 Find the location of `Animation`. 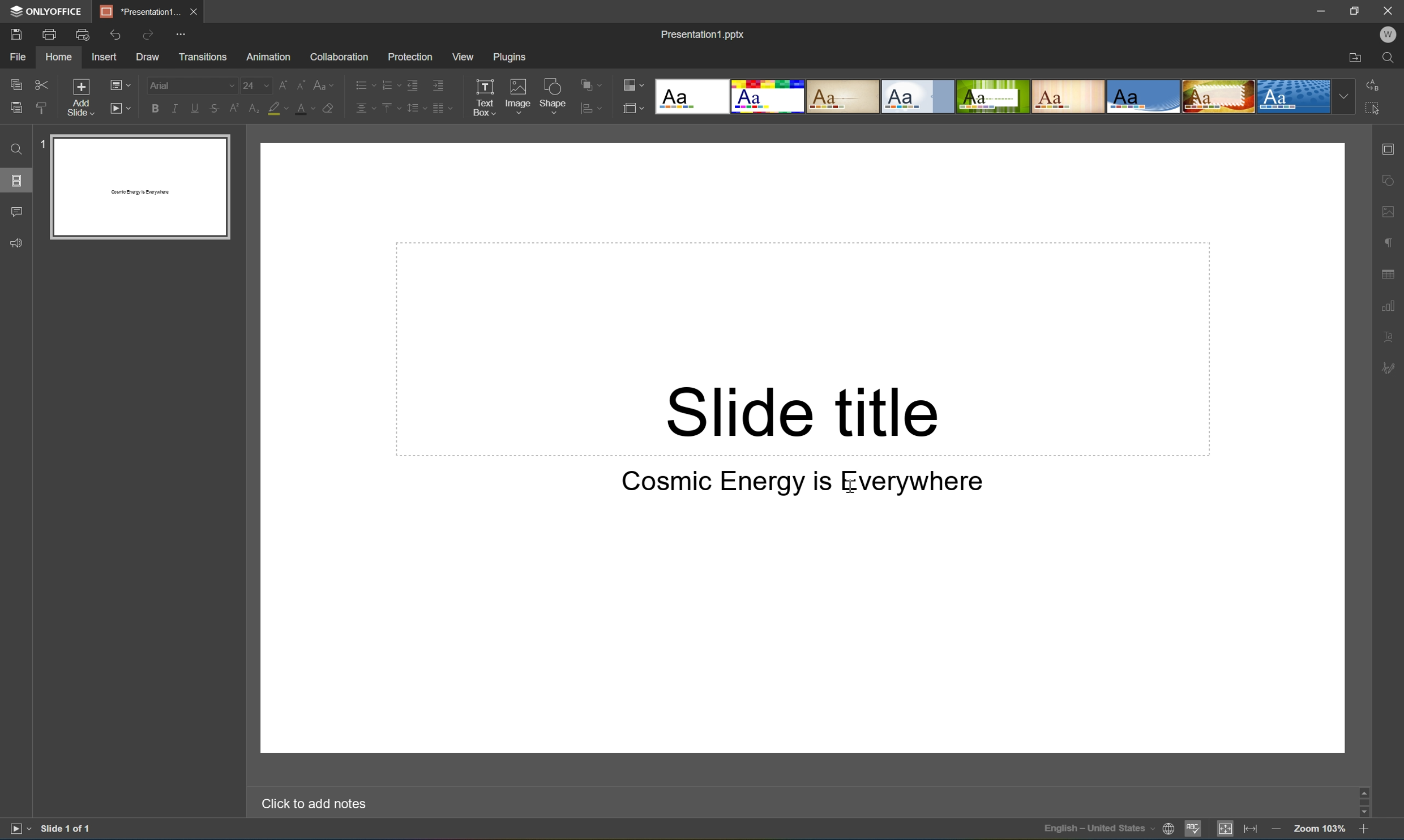

Animation is located at coordinates (272, 54).